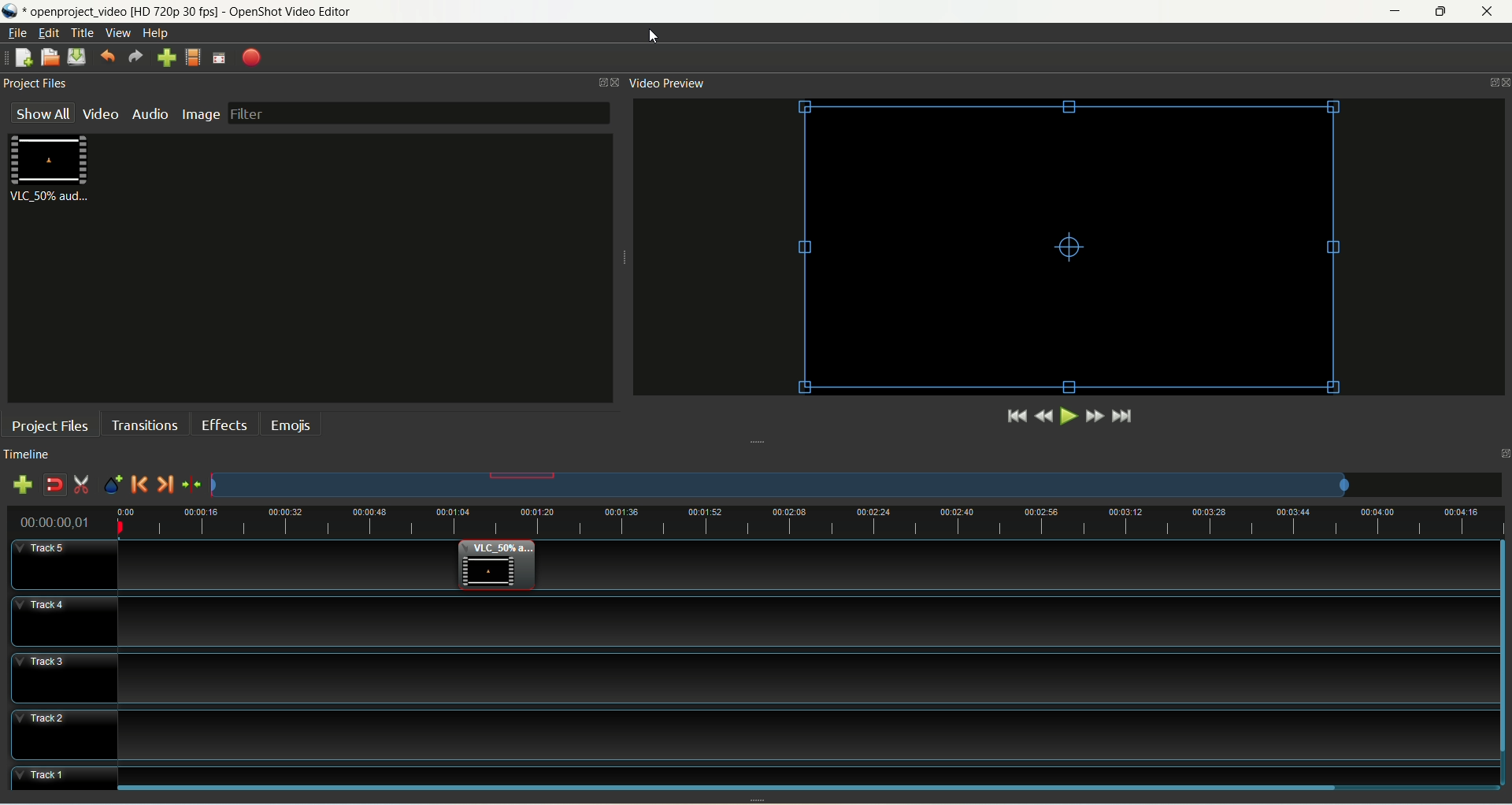 Image resolution: width=1512 pixels, height=805 pixels. What do you see at coordinates (60, 565) in the screenshot?
I see `track5` at bounding box center [60, 565].